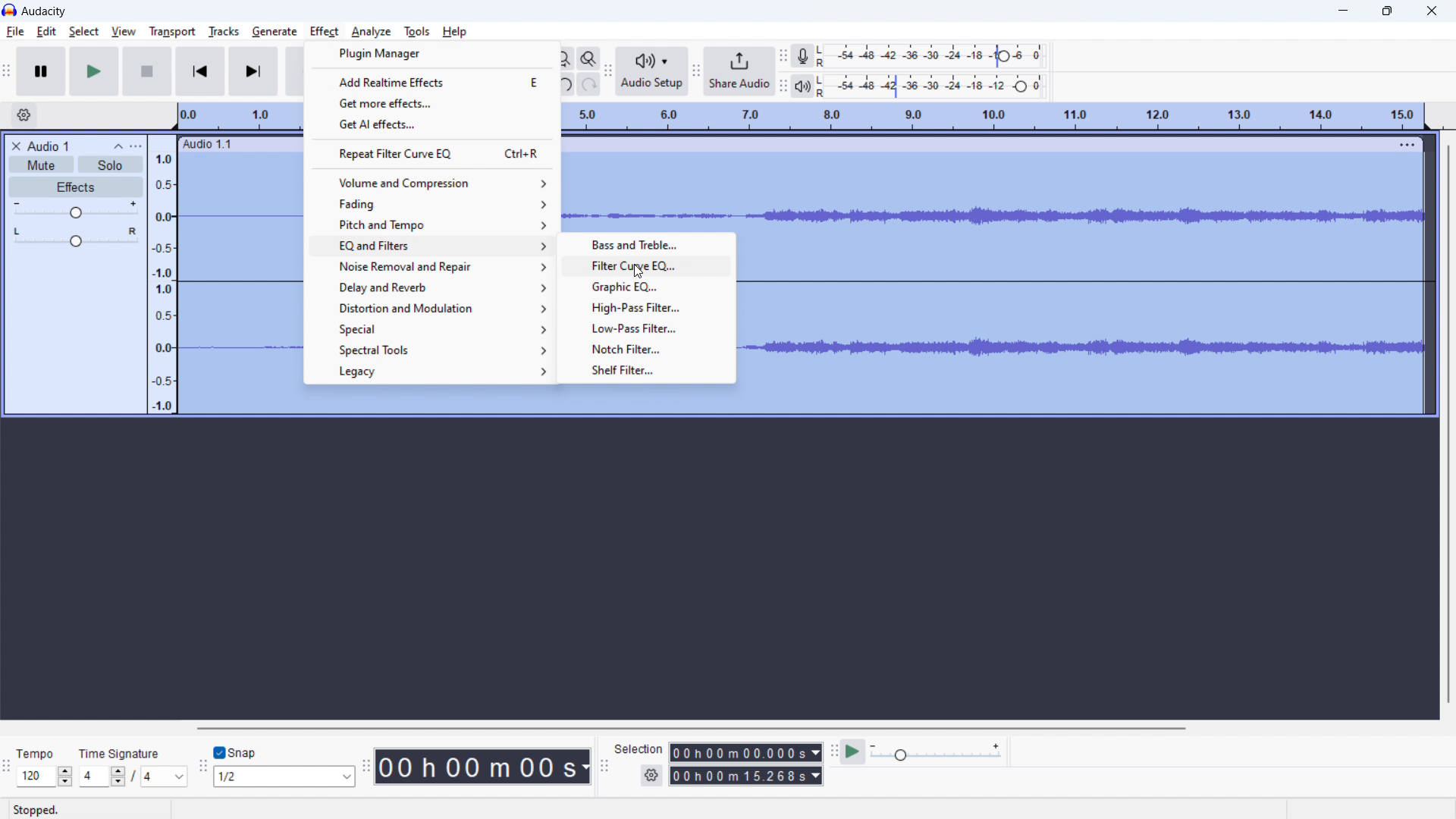 The width and height of the screenshot is (1456, 819). Describe the element at coordinates (745, 751) in the screenshot. I see `00h00m00.000s (start time)` at that location.